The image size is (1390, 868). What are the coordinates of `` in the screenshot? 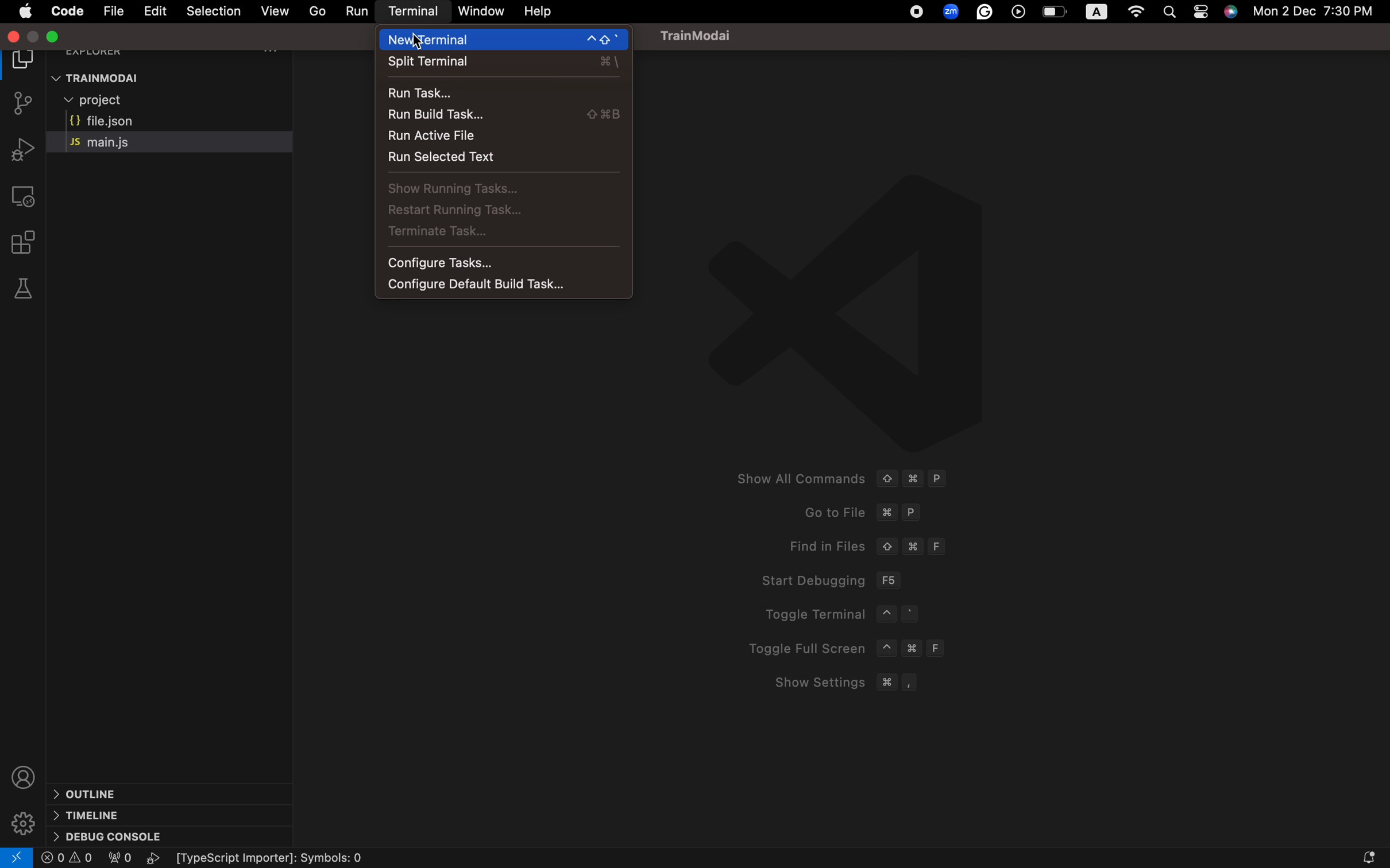 It's located at (66, 12).